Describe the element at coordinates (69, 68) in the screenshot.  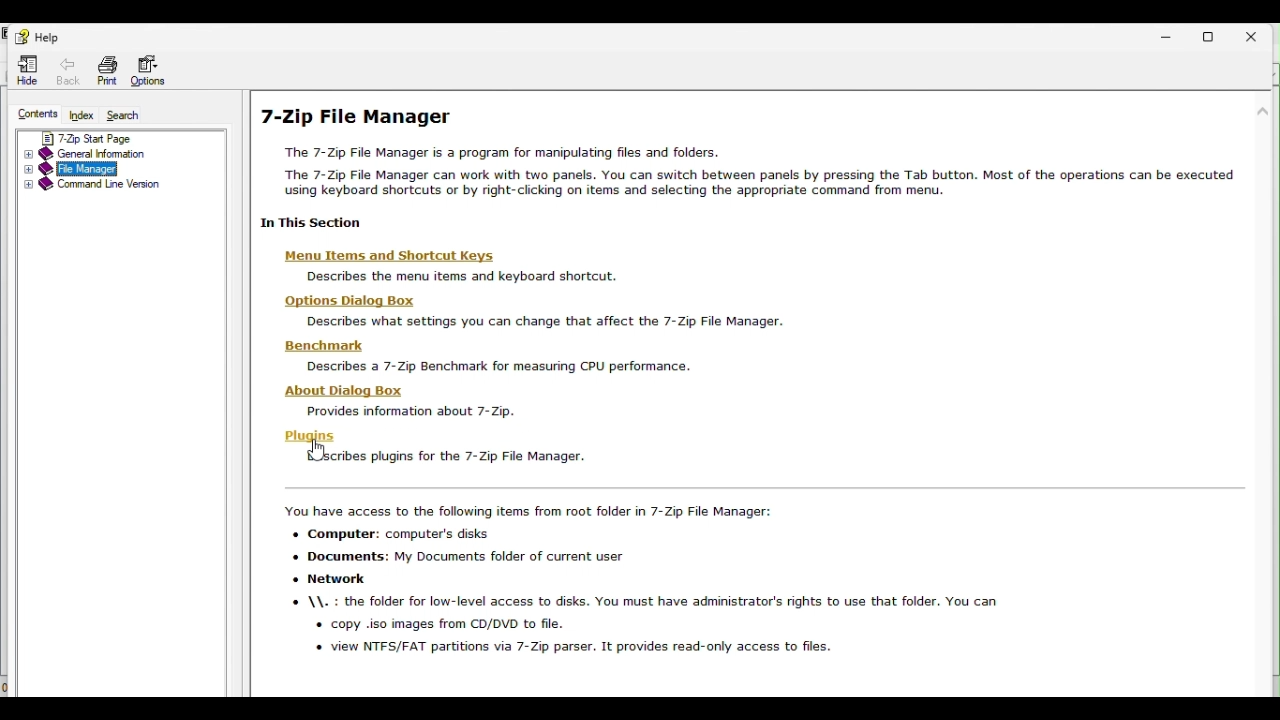
I see `back` at that location.